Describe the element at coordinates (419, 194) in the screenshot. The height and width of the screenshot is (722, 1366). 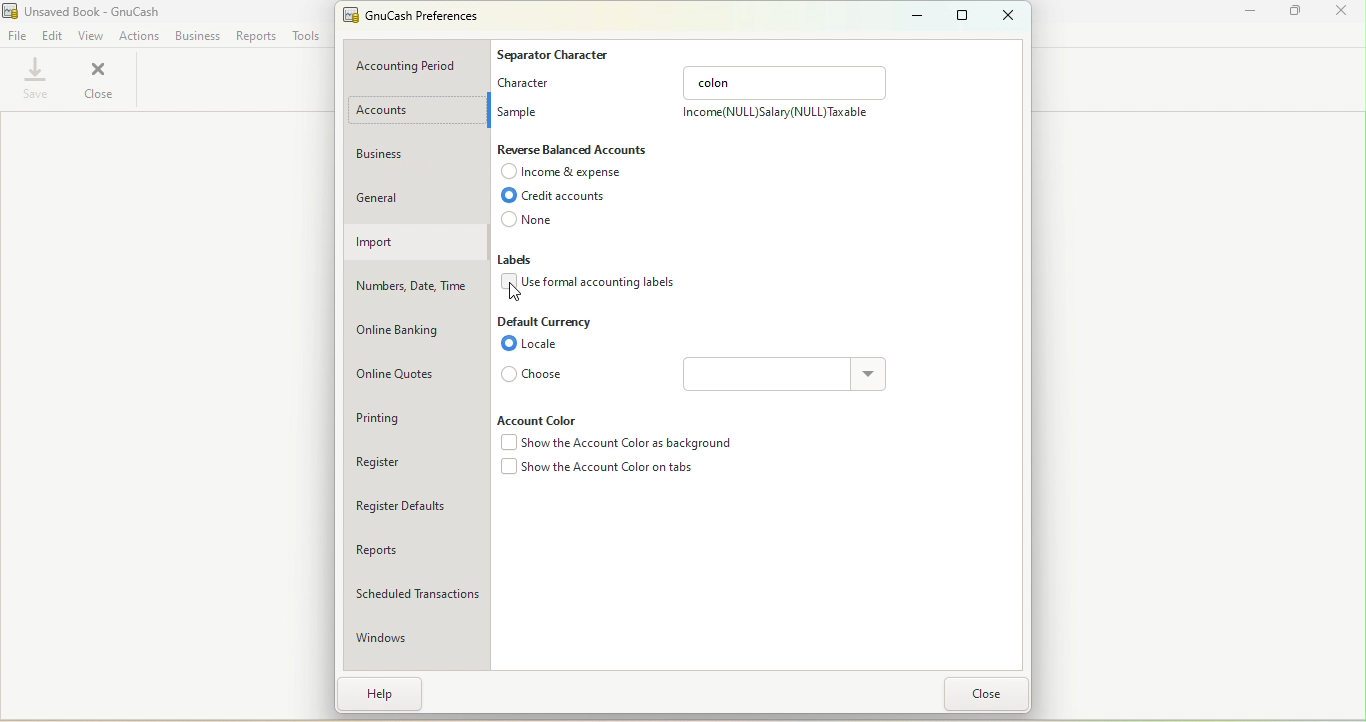
I see `General` at that location.